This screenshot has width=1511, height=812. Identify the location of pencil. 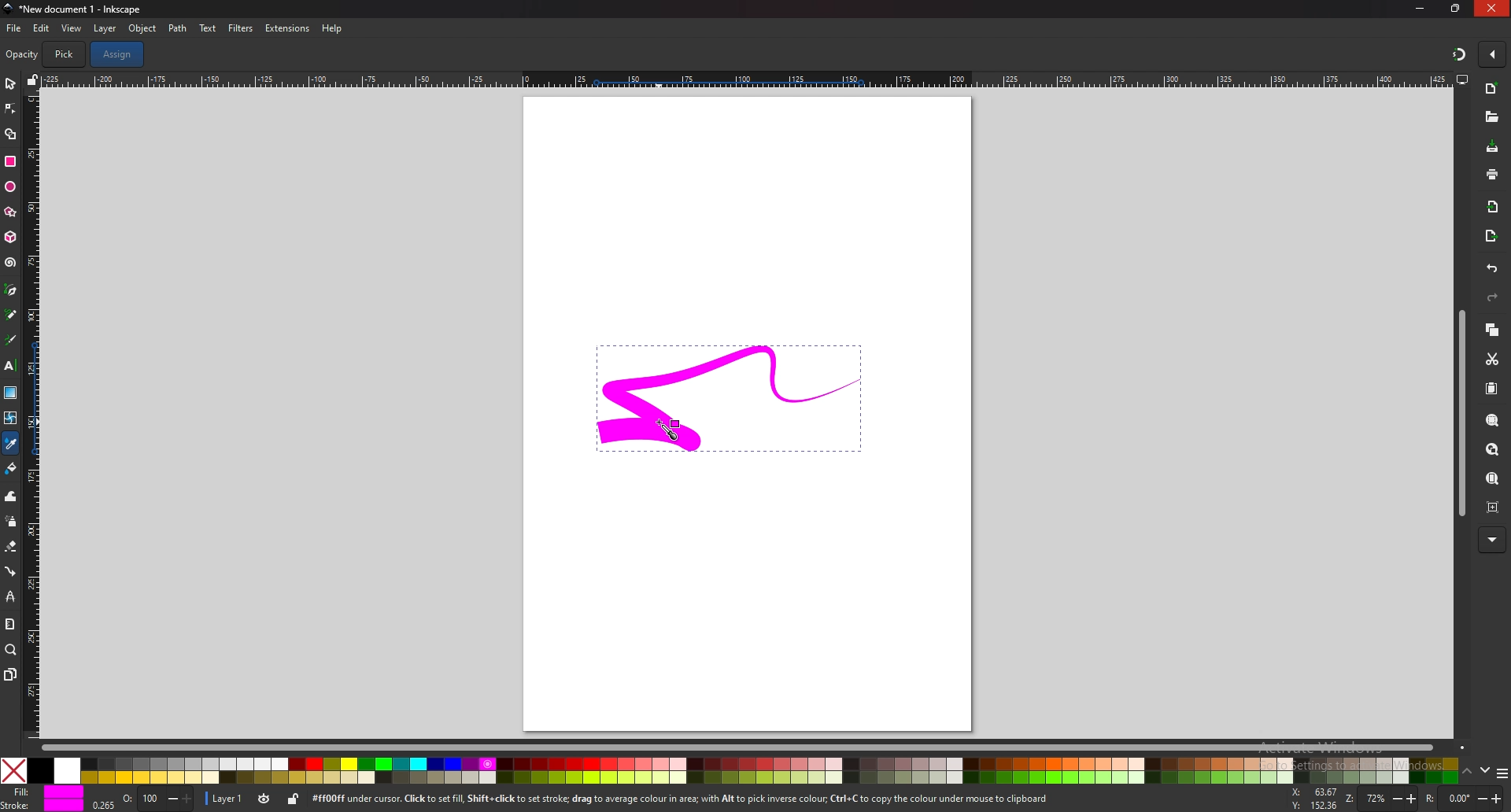
(11, 314).